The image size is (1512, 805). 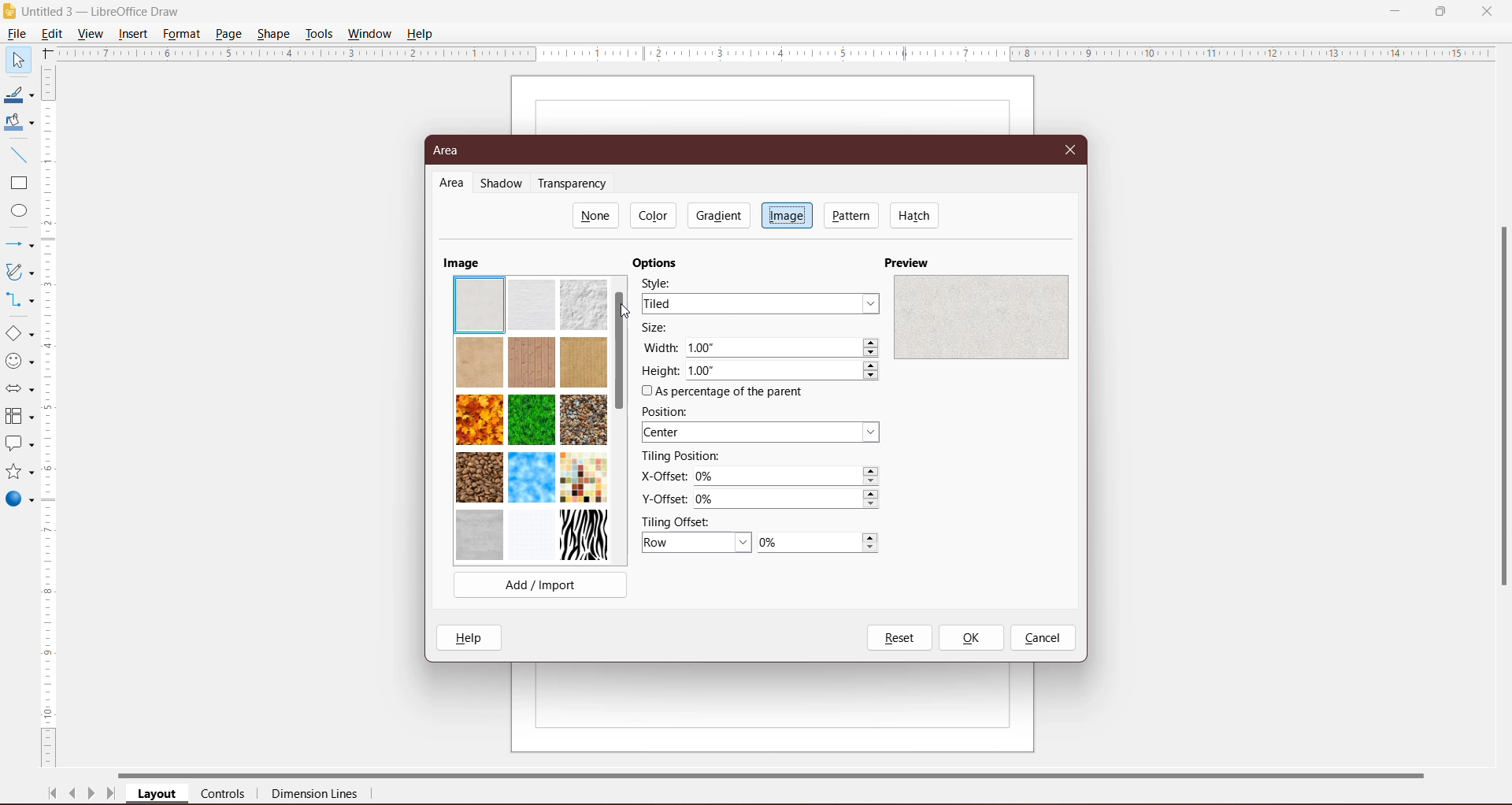 I want to click on Select, so click(x=17, y=59).